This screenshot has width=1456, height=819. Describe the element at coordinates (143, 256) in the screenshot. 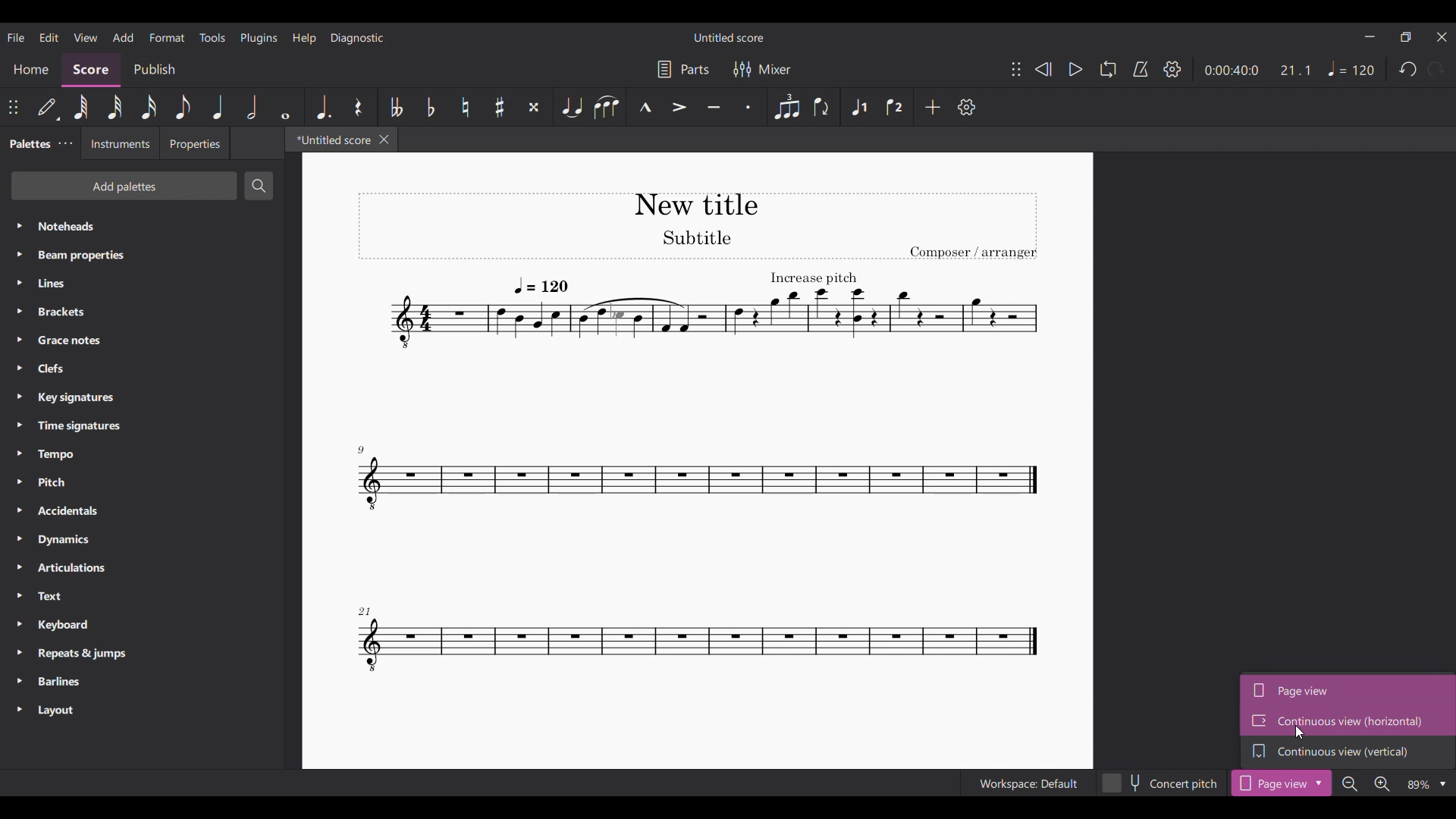

I see `Beam properties` at that location.